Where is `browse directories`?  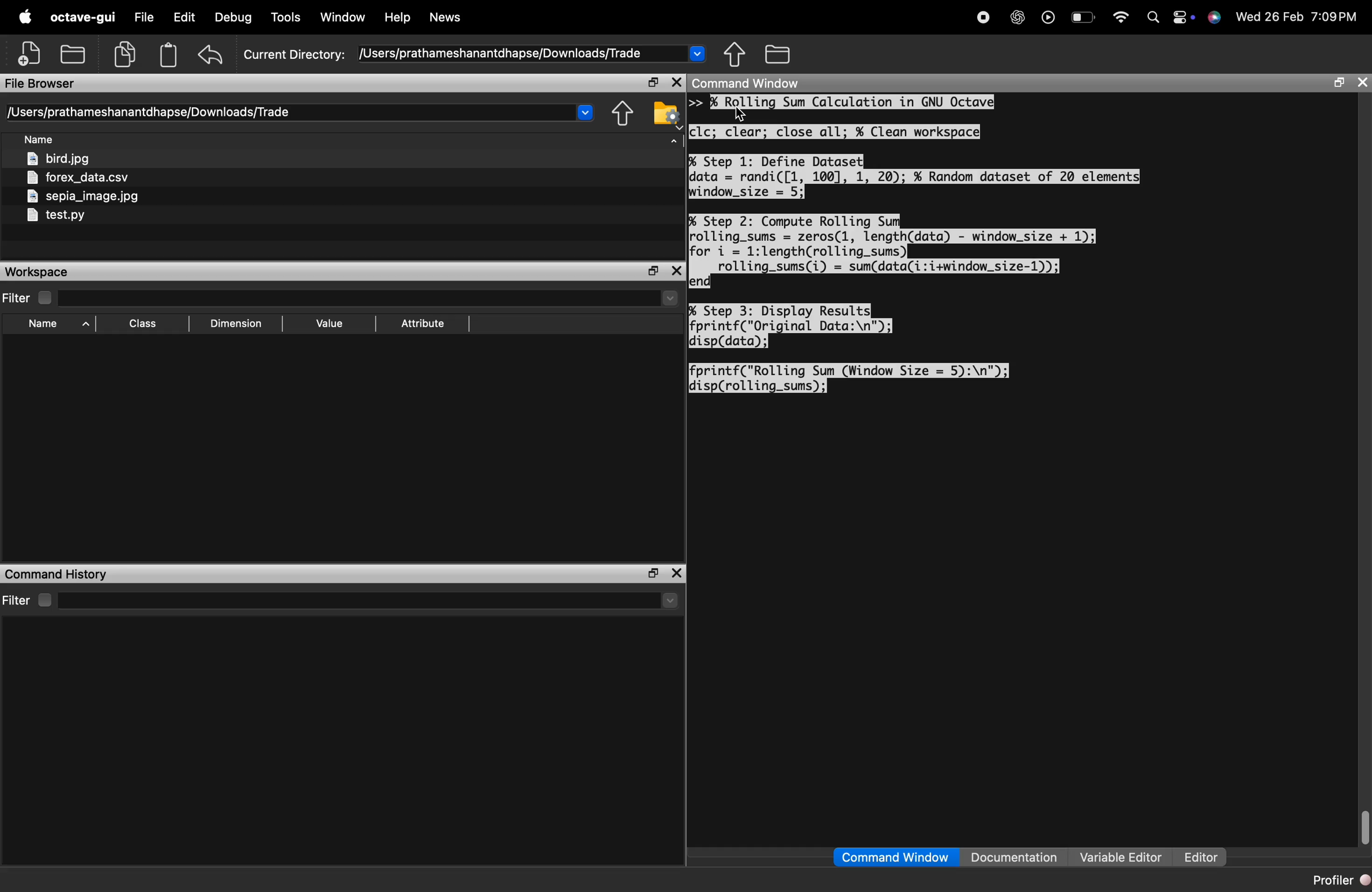 browse directories is located at coordinates (778, 54).